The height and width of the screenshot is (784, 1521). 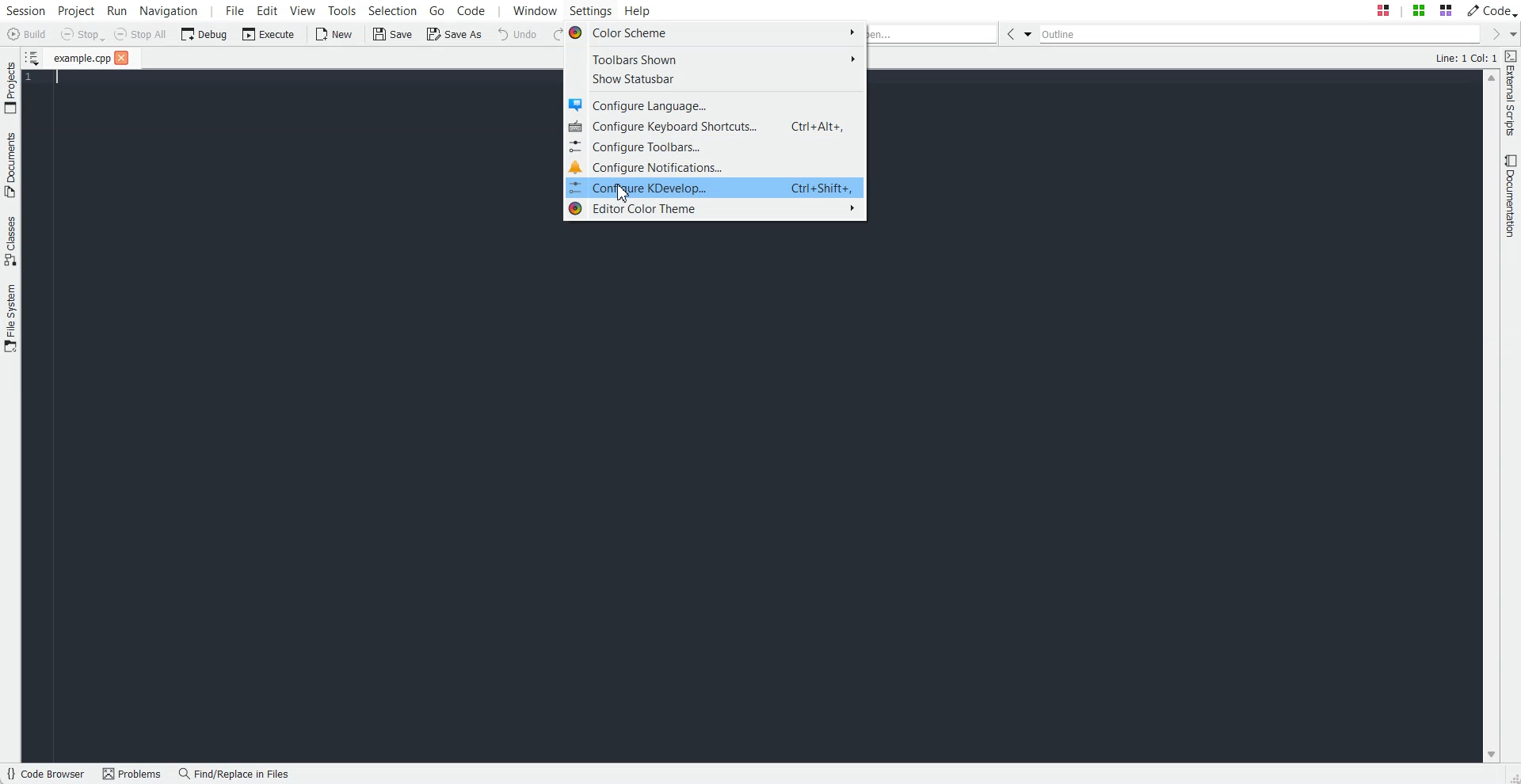 I want to click on Background color one dark, so click(x=753, y=494).